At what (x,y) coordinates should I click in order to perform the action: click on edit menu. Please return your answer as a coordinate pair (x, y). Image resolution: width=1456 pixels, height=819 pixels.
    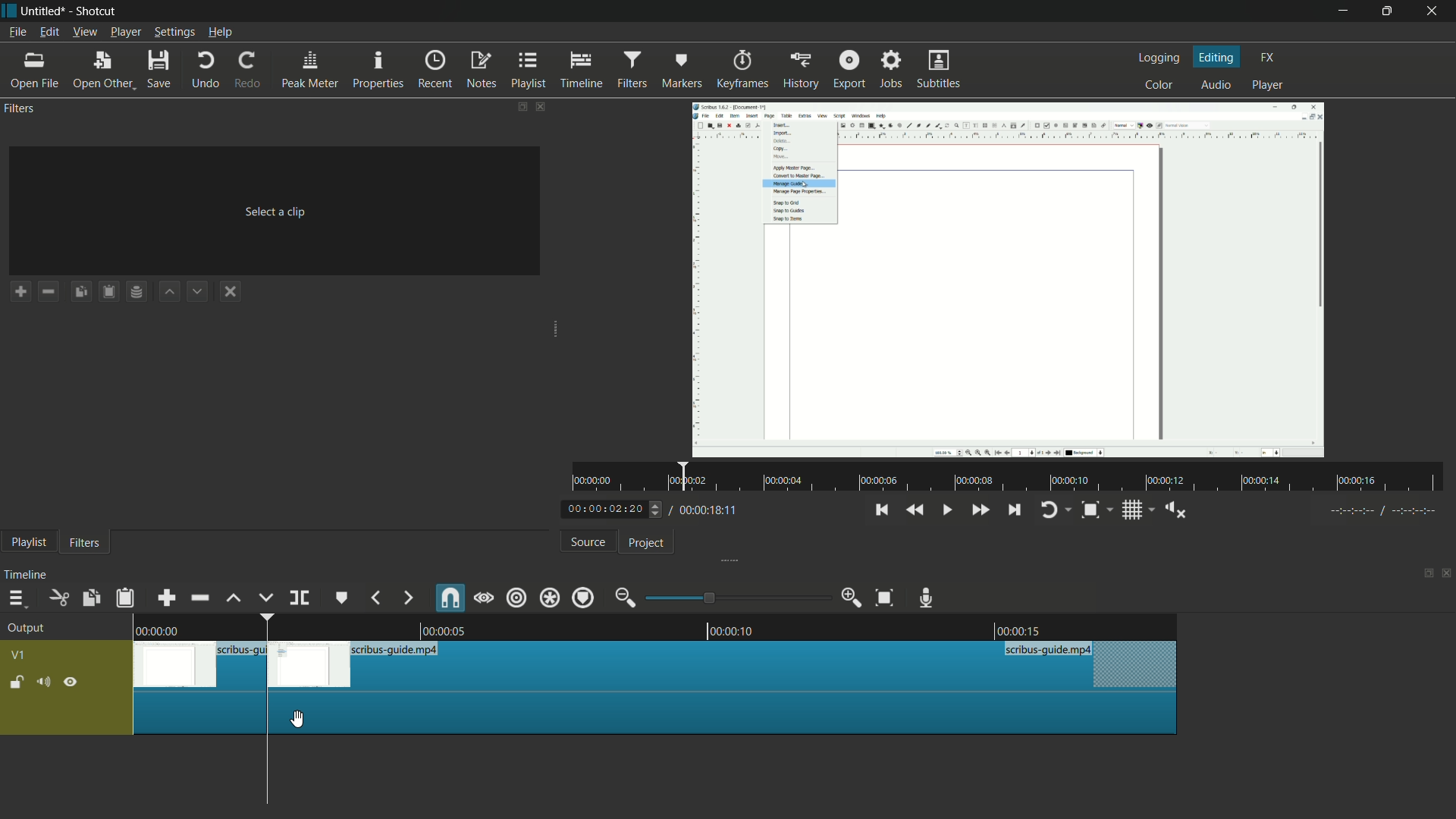
    Looking at the image, I should click on (49, 32).